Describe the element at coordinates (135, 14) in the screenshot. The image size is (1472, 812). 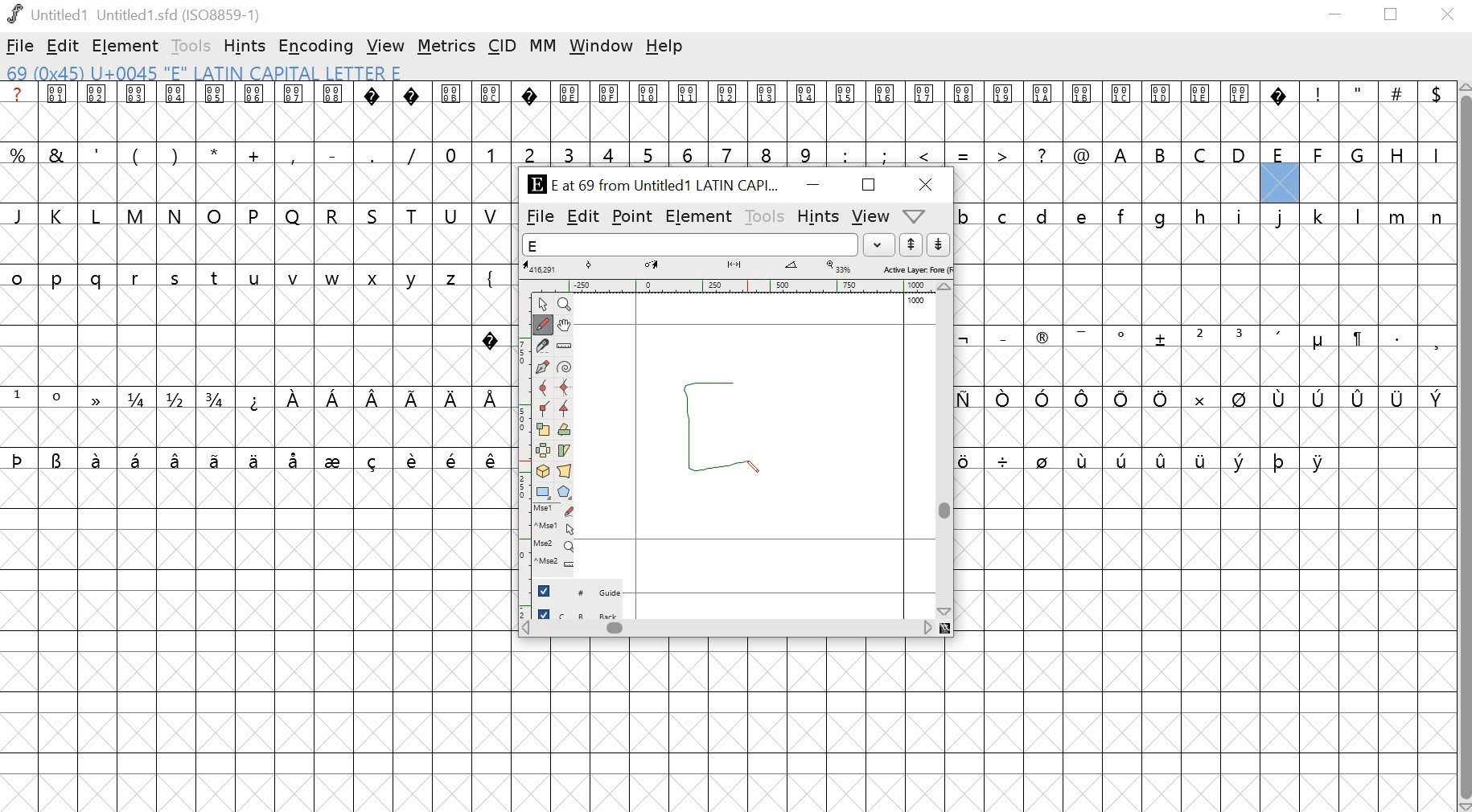
I see `Untitled1 Untitled 1.sfd (IS08859-1)` at that location.